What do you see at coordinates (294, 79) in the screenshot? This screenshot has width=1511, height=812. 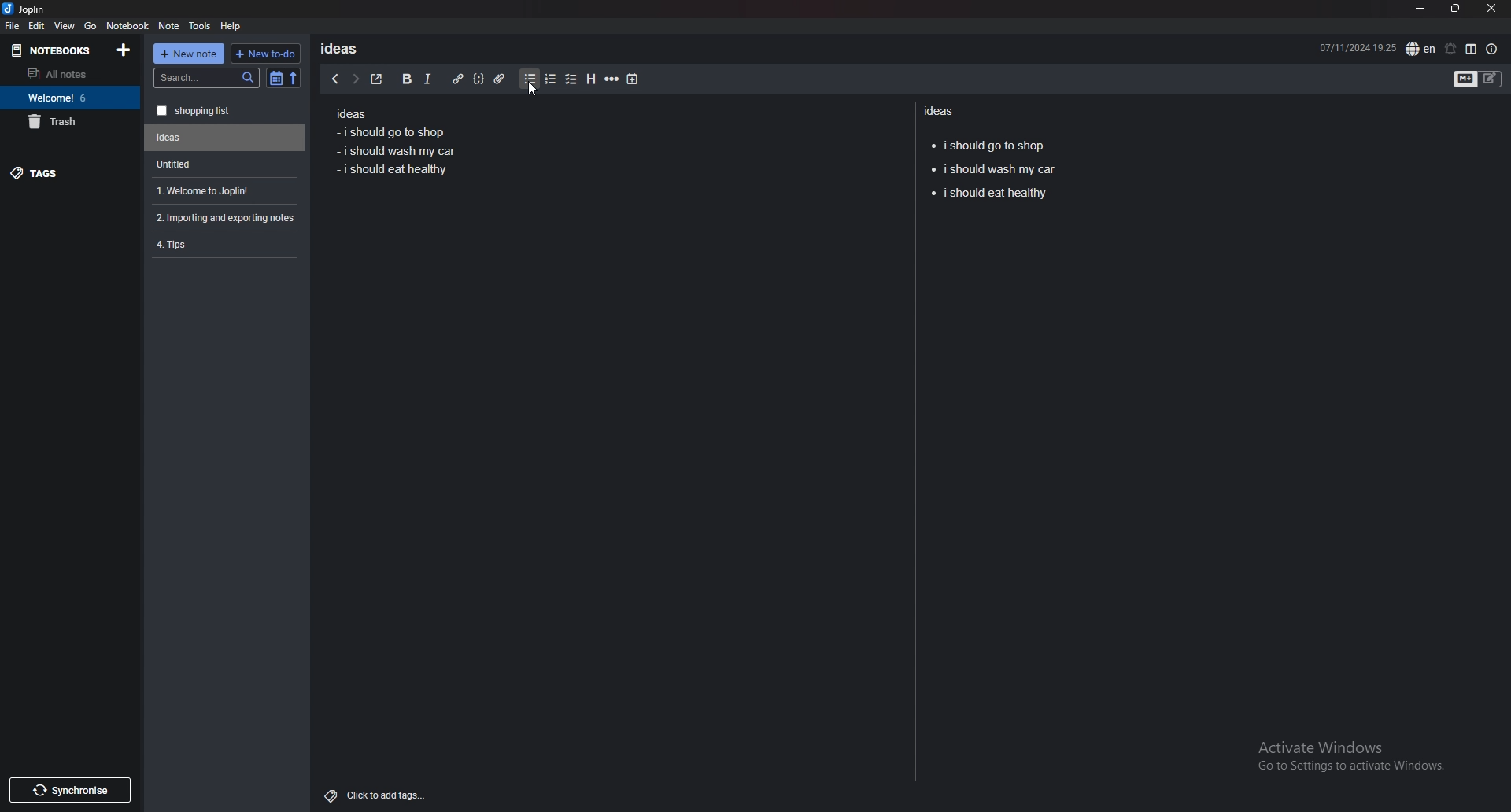 I see `reverse sort order` at bounding box center [294, 79].